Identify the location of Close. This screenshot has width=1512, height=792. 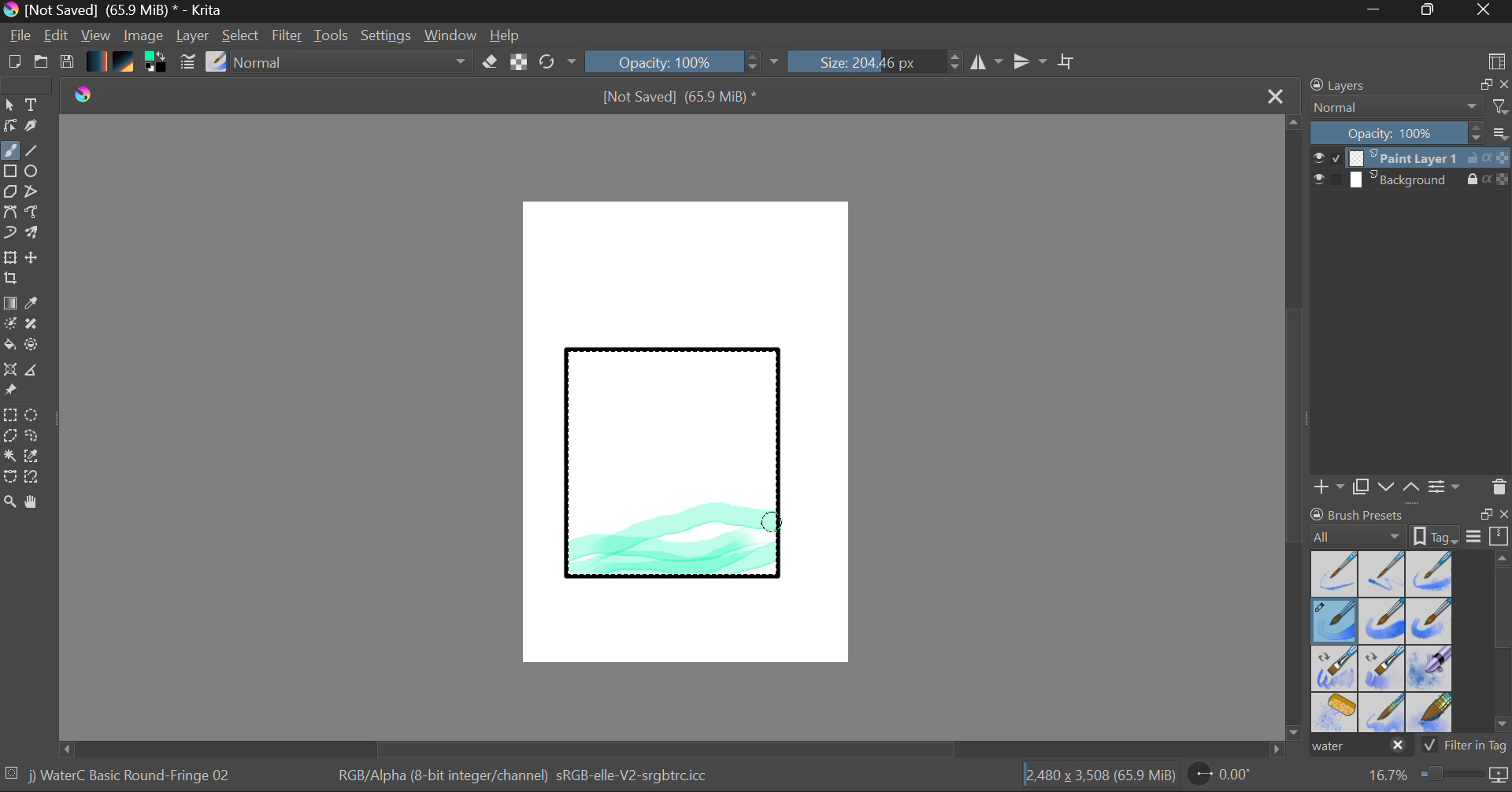
(1277, 95).